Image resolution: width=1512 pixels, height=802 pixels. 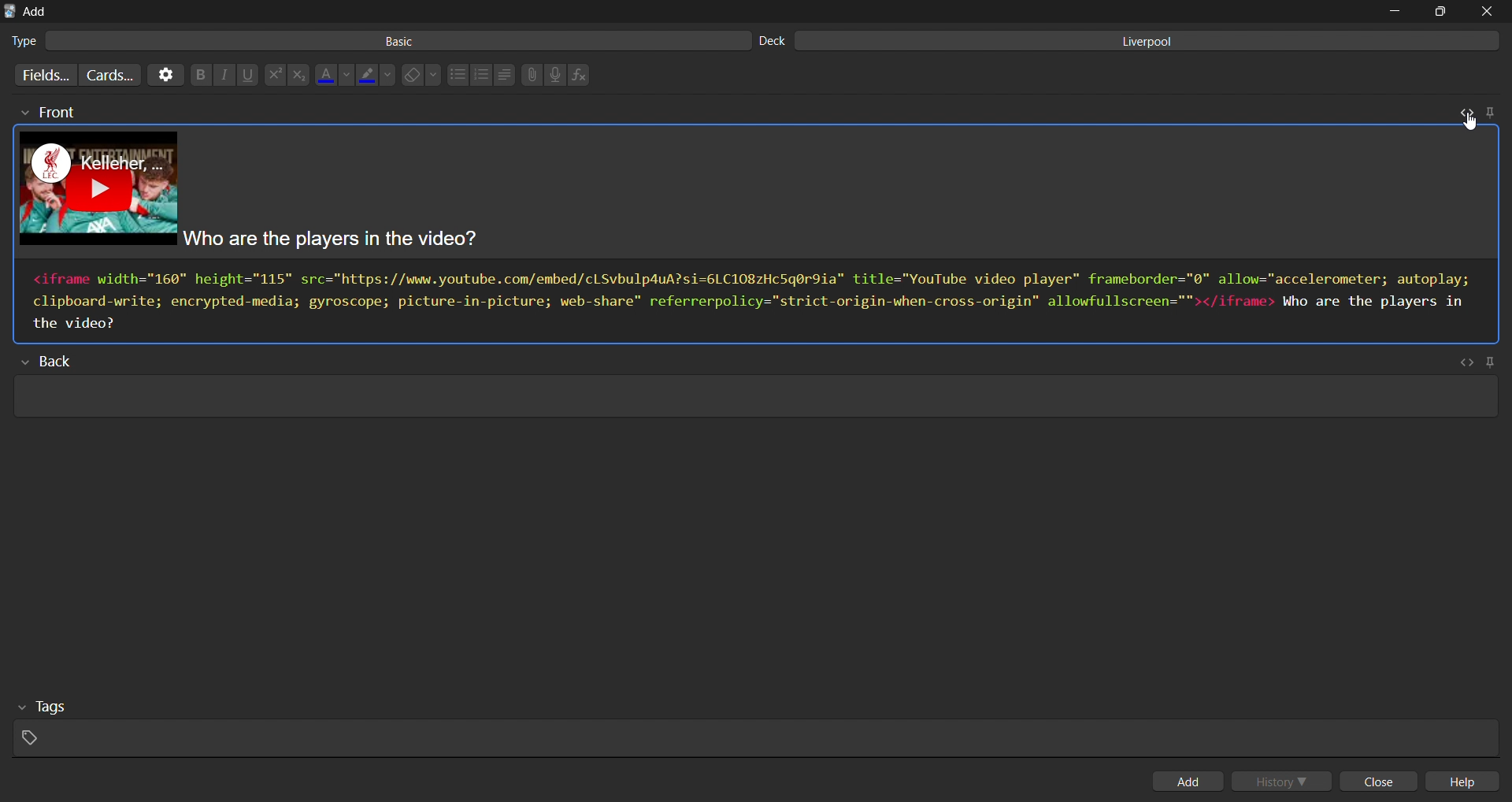 I want to click on front , so click(x=46, y=113).